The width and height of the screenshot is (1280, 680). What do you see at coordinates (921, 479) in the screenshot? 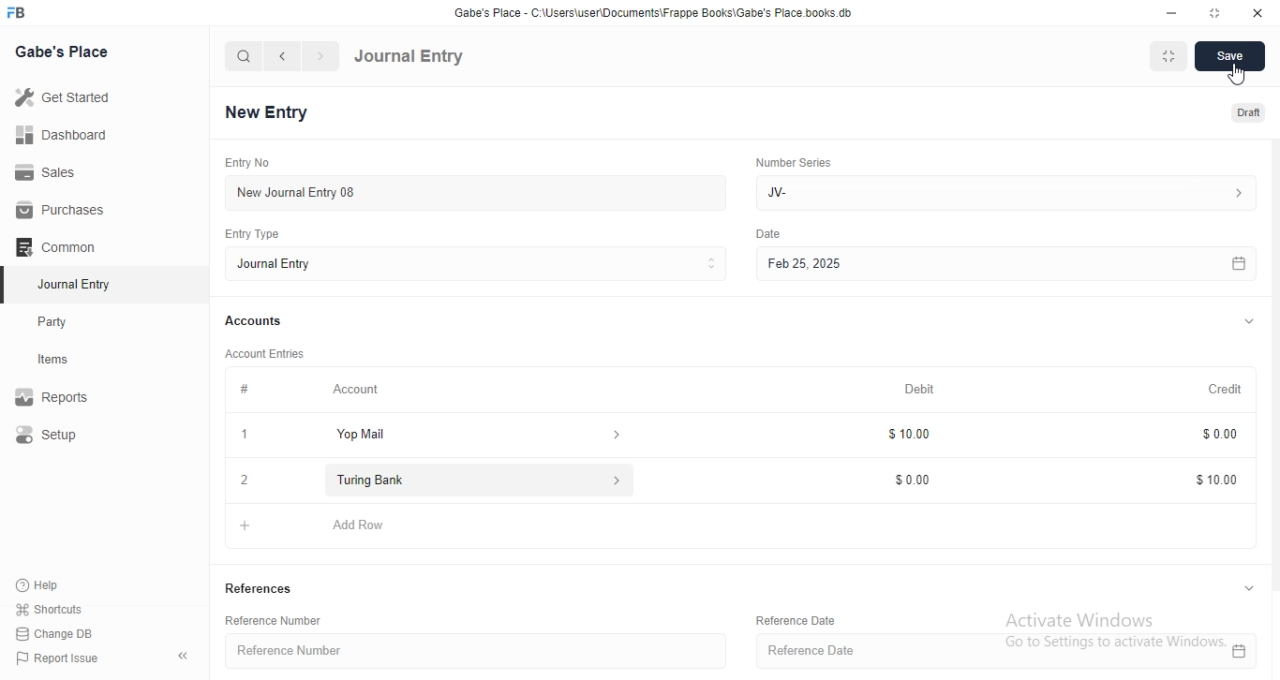
I see `$0.00` at bounding box center [921, 479].